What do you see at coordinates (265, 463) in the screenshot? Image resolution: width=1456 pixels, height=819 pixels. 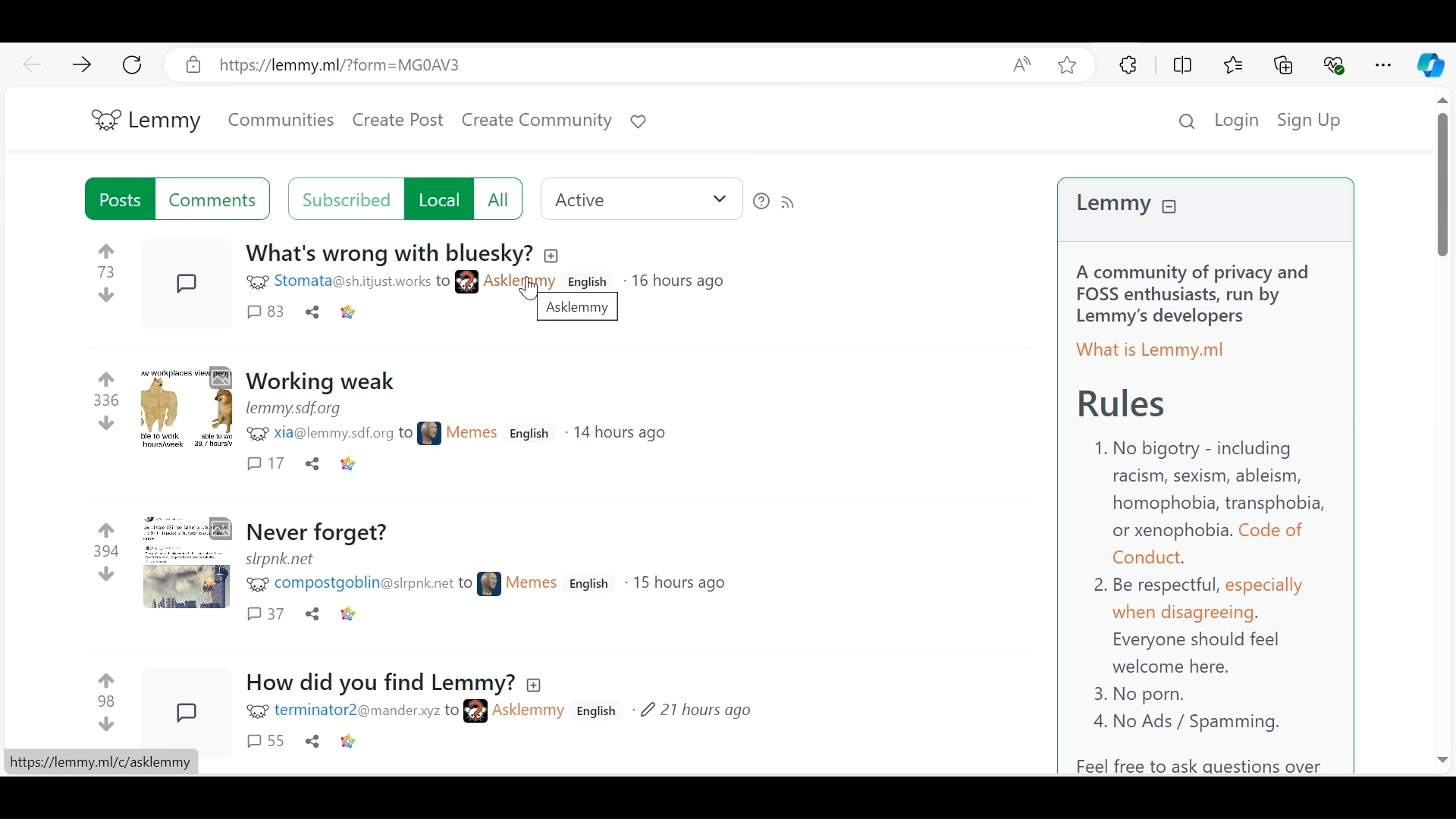 I see `Comments` at bounding box center [265, 463].